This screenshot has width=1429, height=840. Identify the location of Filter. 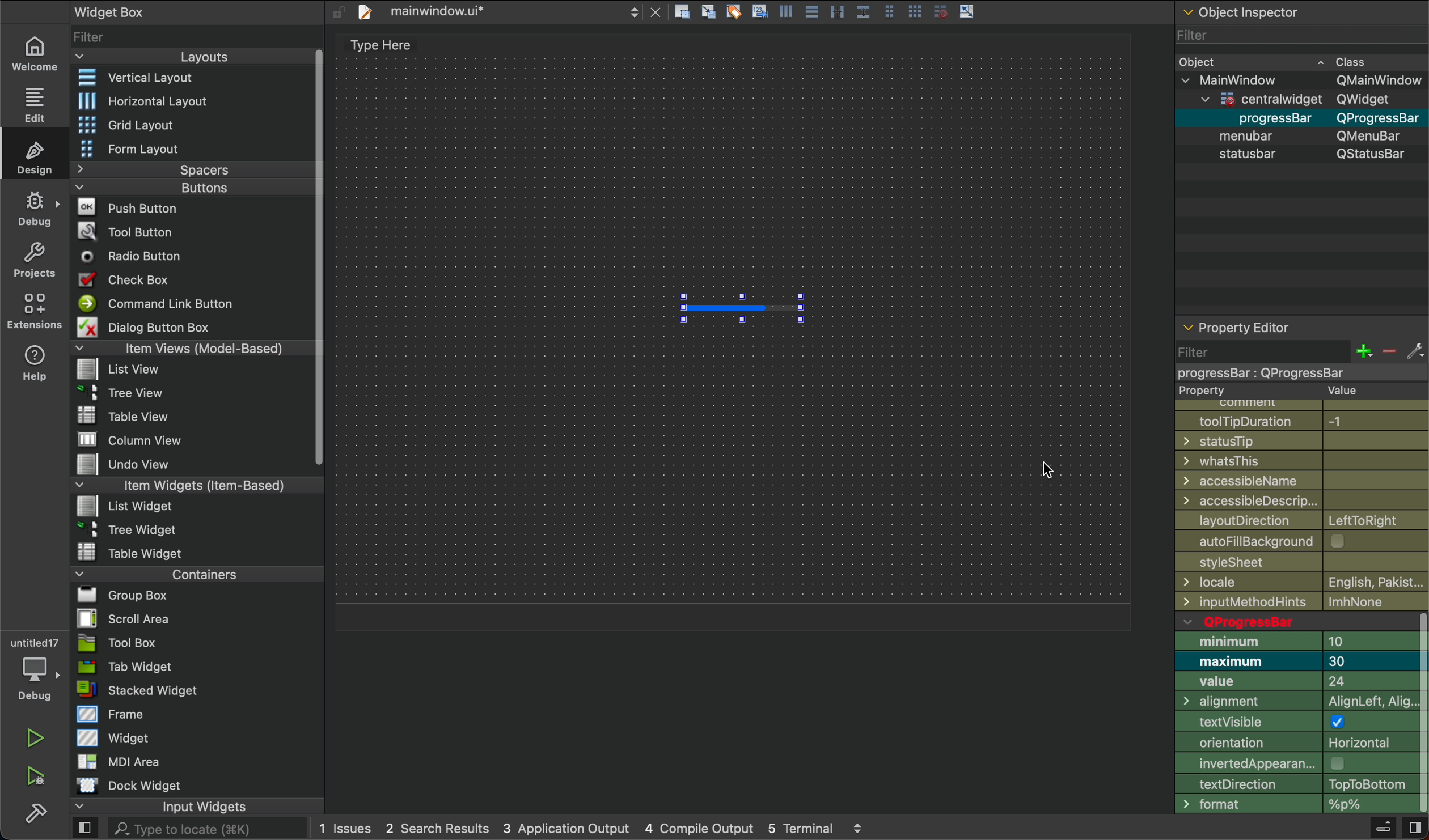
(1299, 34).